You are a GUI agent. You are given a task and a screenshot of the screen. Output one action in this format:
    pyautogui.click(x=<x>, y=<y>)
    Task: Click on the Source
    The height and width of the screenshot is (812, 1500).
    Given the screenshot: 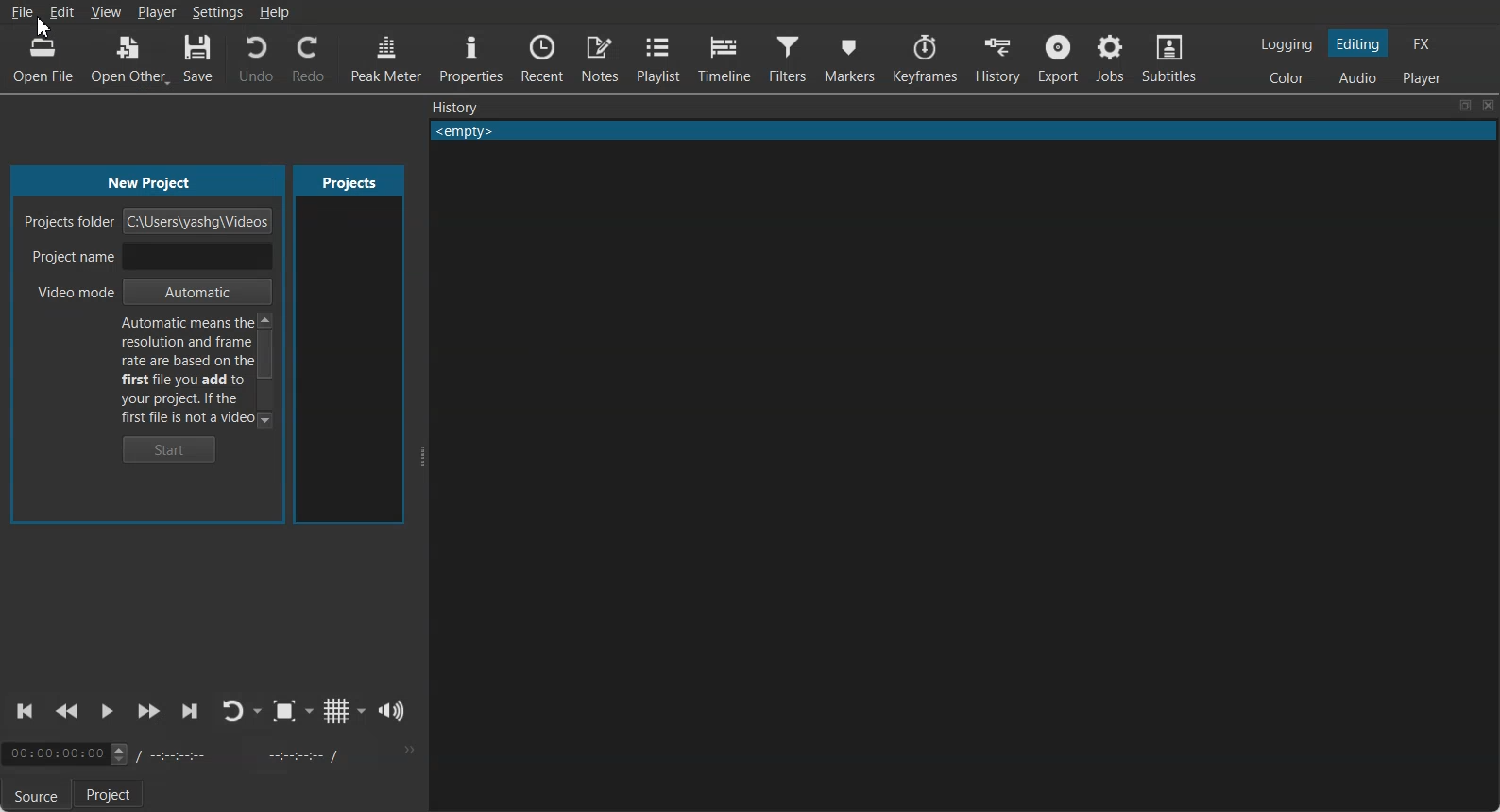 What is the action you would take?
    pyautogui.click(x=32, y=797)
    